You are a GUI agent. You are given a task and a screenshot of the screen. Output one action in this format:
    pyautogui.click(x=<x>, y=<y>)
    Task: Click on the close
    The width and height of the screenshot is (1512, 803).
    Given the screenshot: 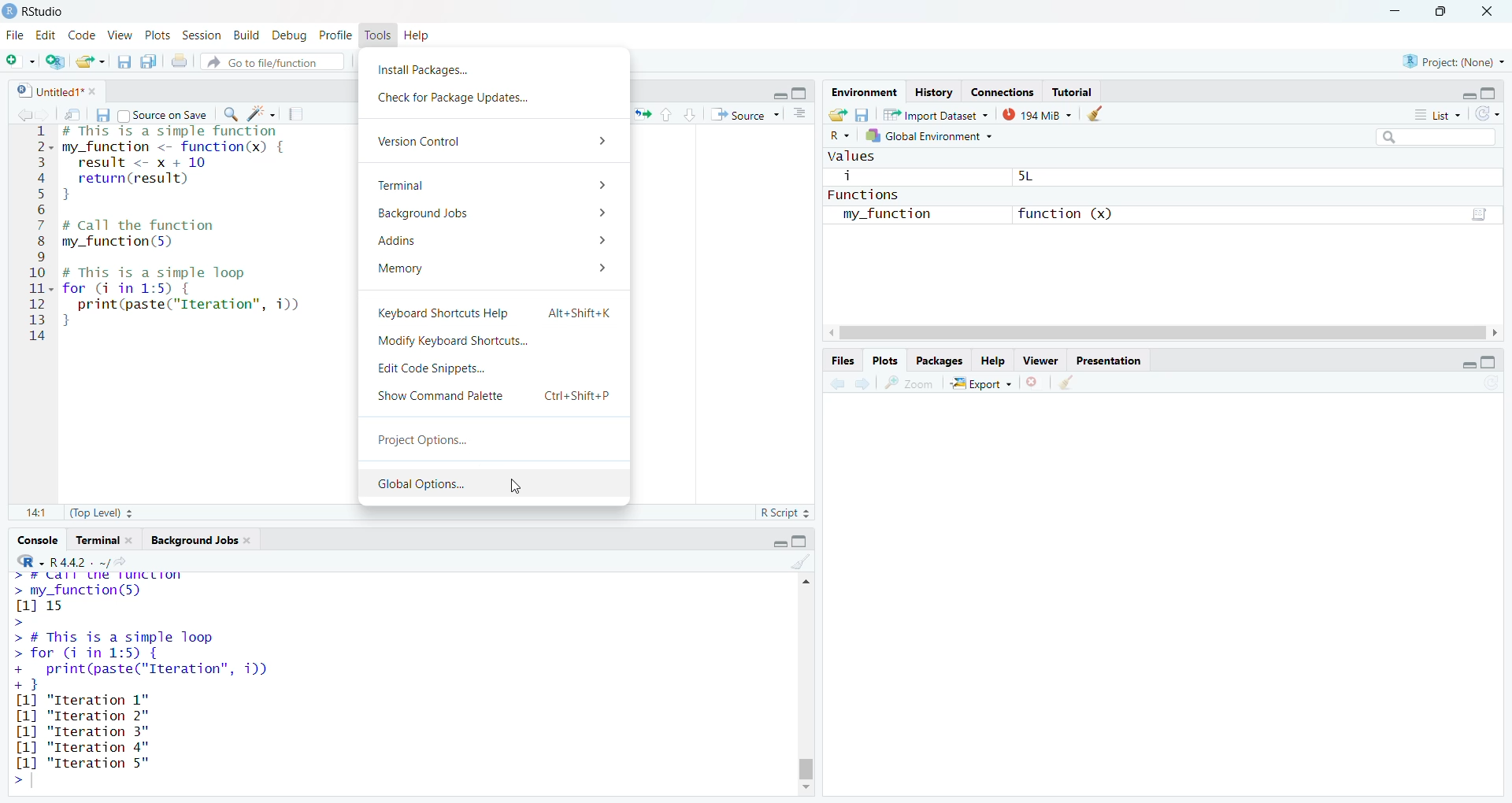 What is the action you would take?
    pyautogui.click(x=253, y=542)
    